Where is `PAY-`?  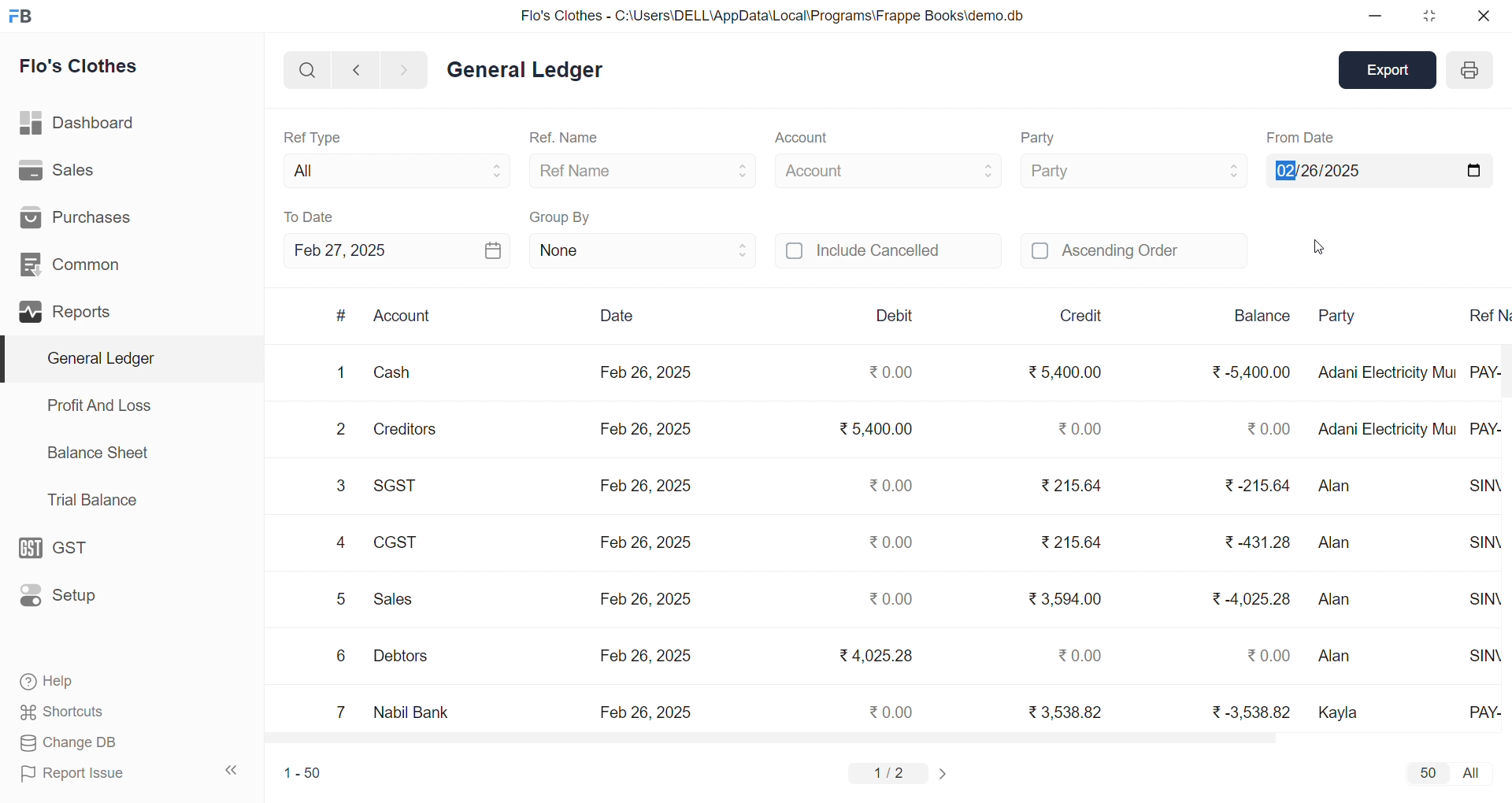
PAY- is located at coordinates (1485, 426).